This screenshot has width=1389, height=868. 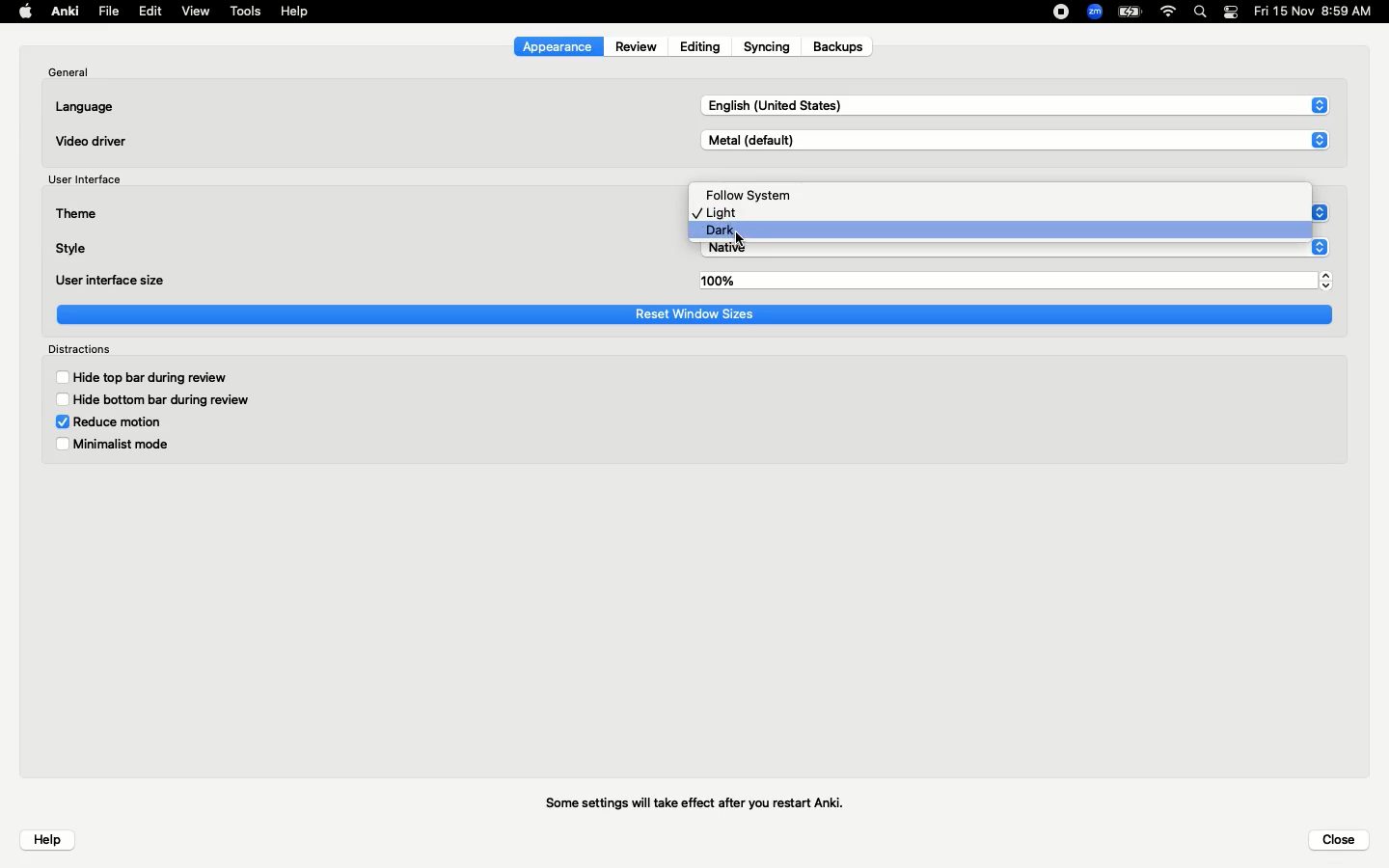 What do you see at coordinates (82, 348) in the screenshot?
I see `Distractions` at bounding box center [82, 348].